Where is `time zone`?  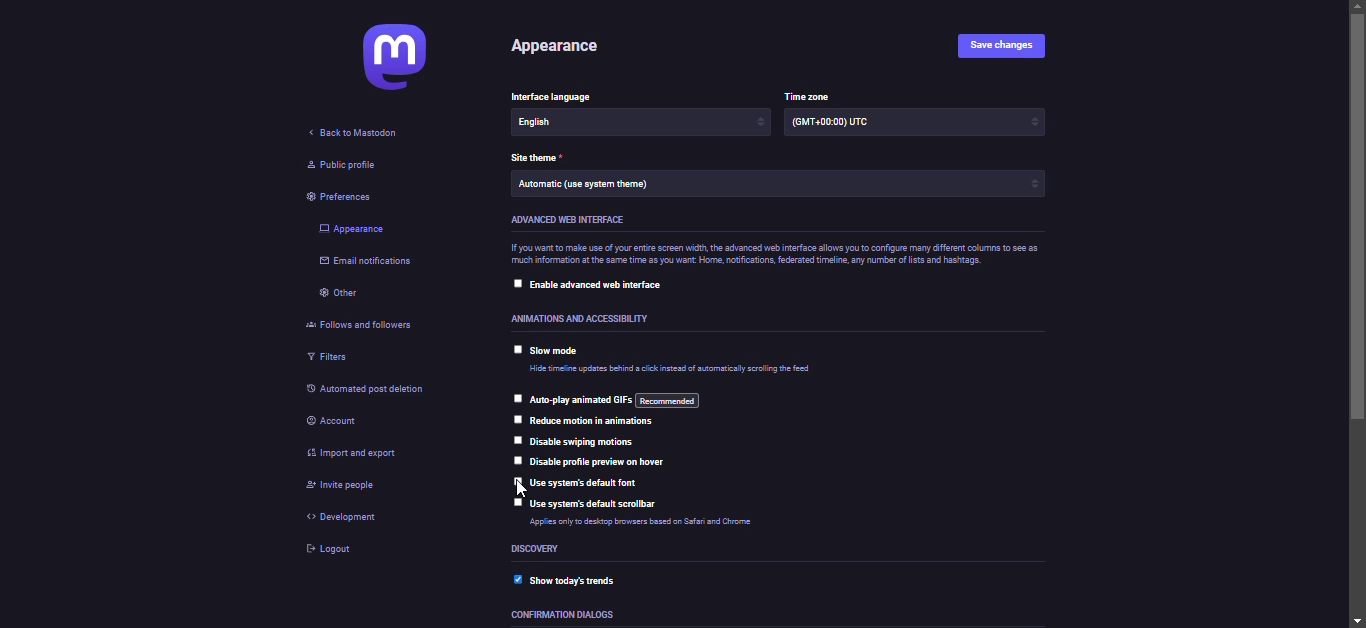
time zone is located at coordinates (848, 125).